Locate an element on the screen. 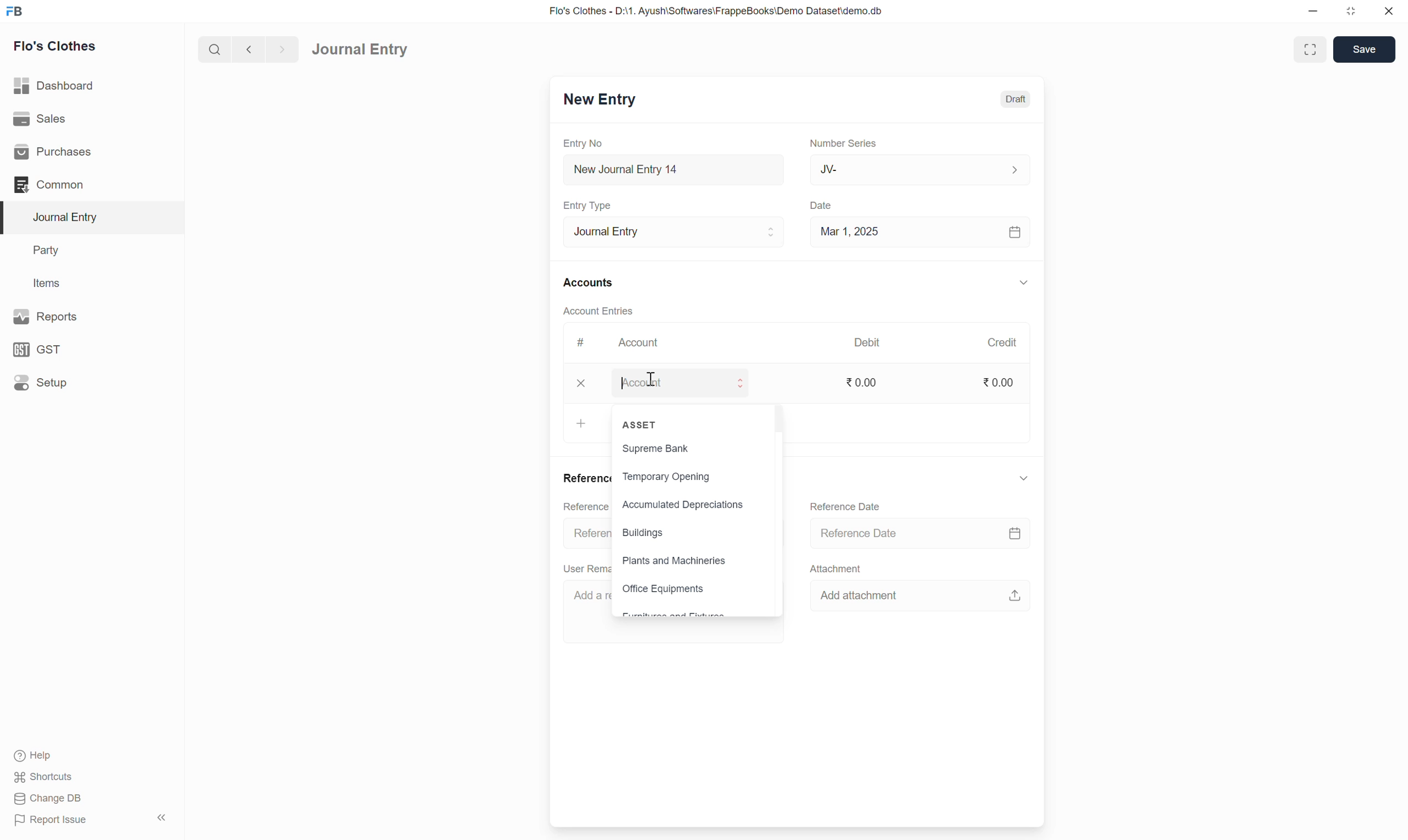 This screenshot has height=840, width=1408. Account Entries is located at coordinates (599, 310).